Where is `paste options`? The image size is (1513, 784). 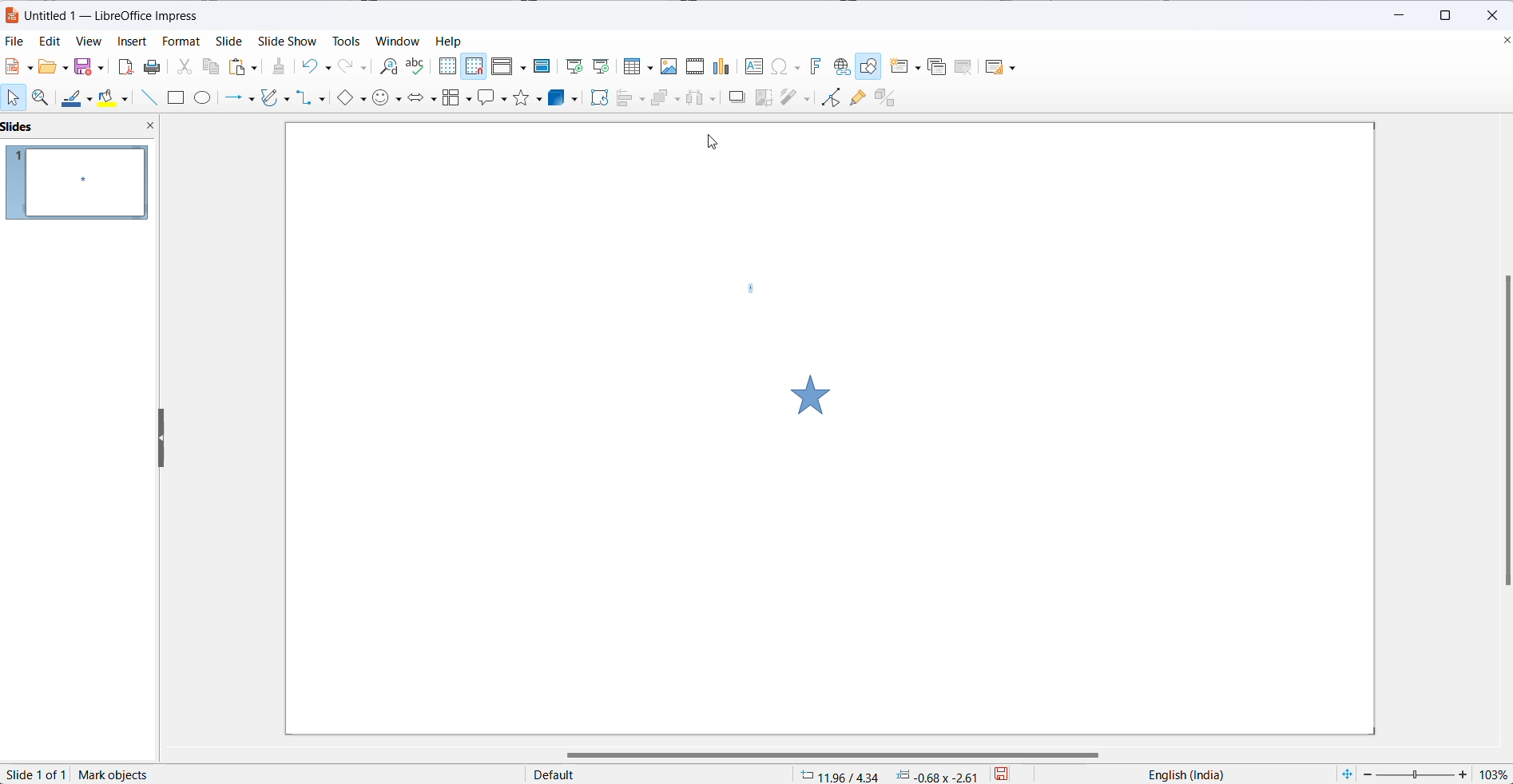
paste options is located at coordinates (244, 66).